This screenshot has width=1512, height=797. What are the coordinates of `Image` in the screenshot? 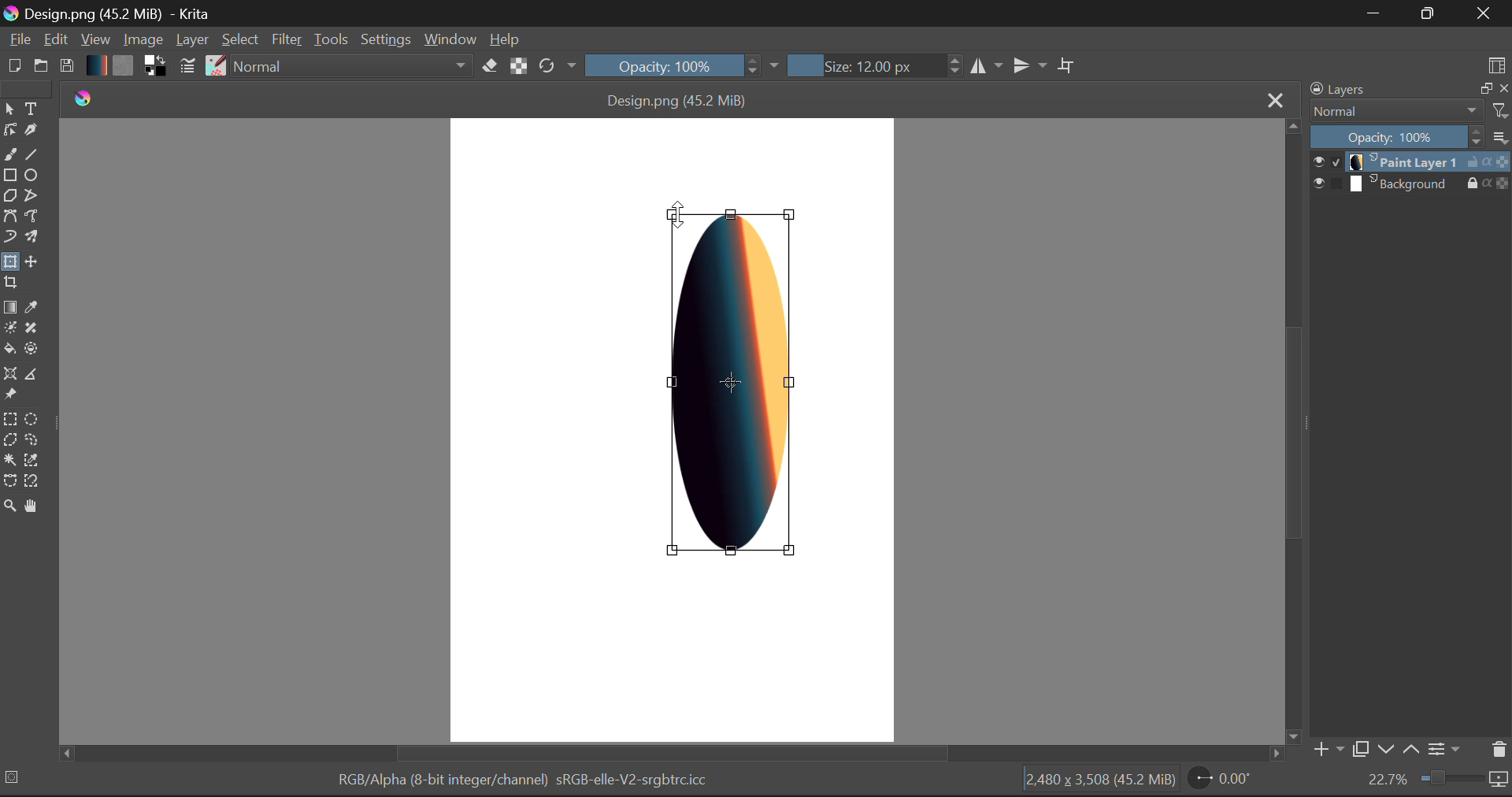 It's located at (142, 39).